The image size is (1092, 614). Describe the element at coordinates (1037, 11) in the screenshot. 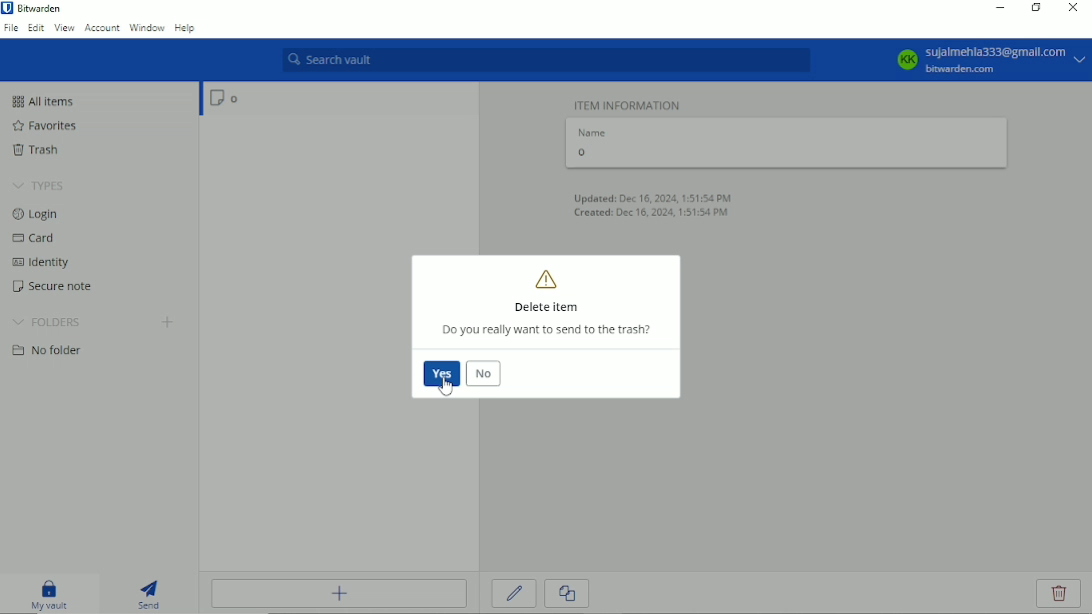

I see `Restore down` at that location.